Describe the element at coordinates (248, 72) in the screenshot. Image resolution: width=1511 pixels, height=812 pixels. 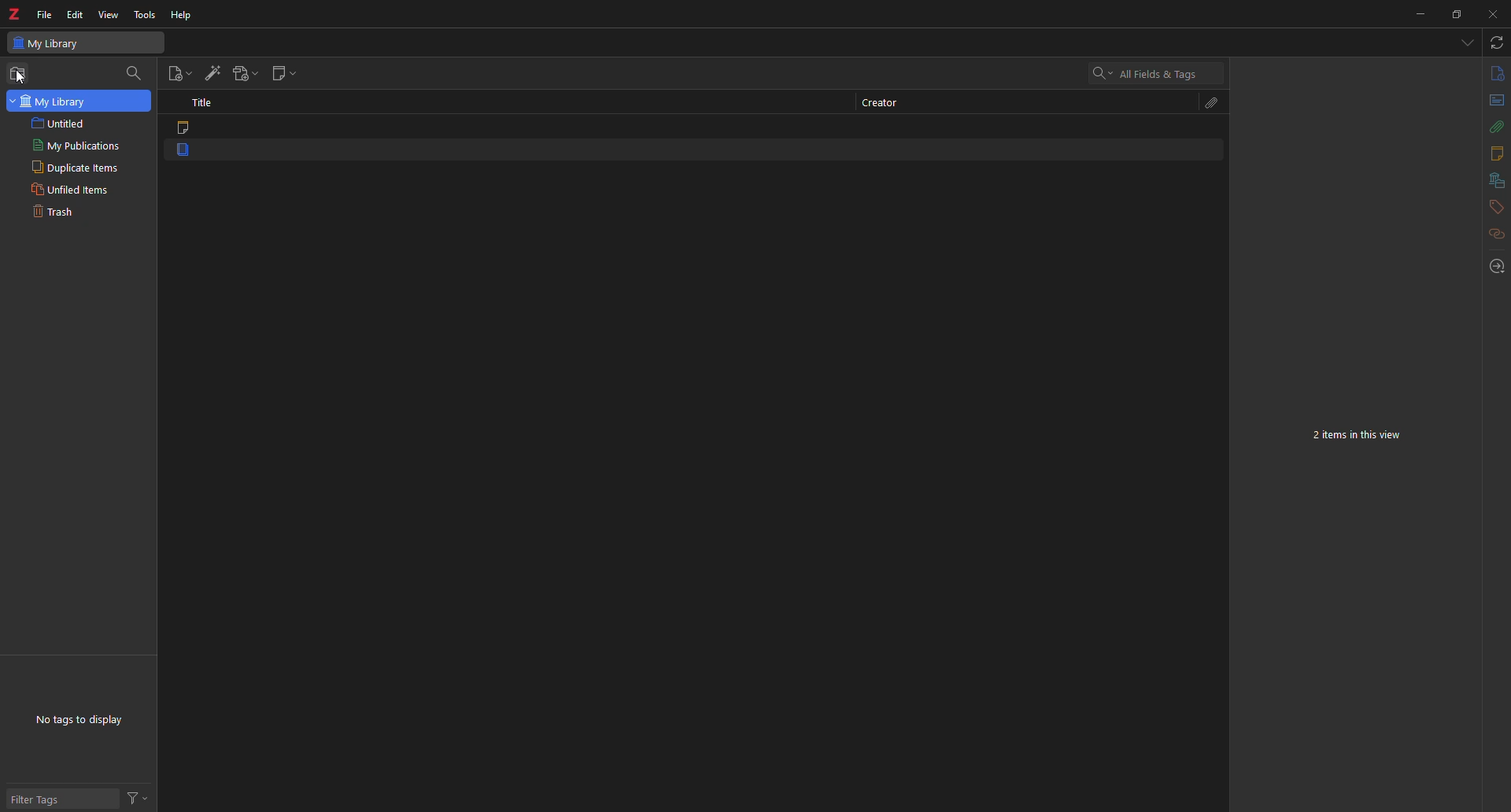
I see `add attachment` at that location.